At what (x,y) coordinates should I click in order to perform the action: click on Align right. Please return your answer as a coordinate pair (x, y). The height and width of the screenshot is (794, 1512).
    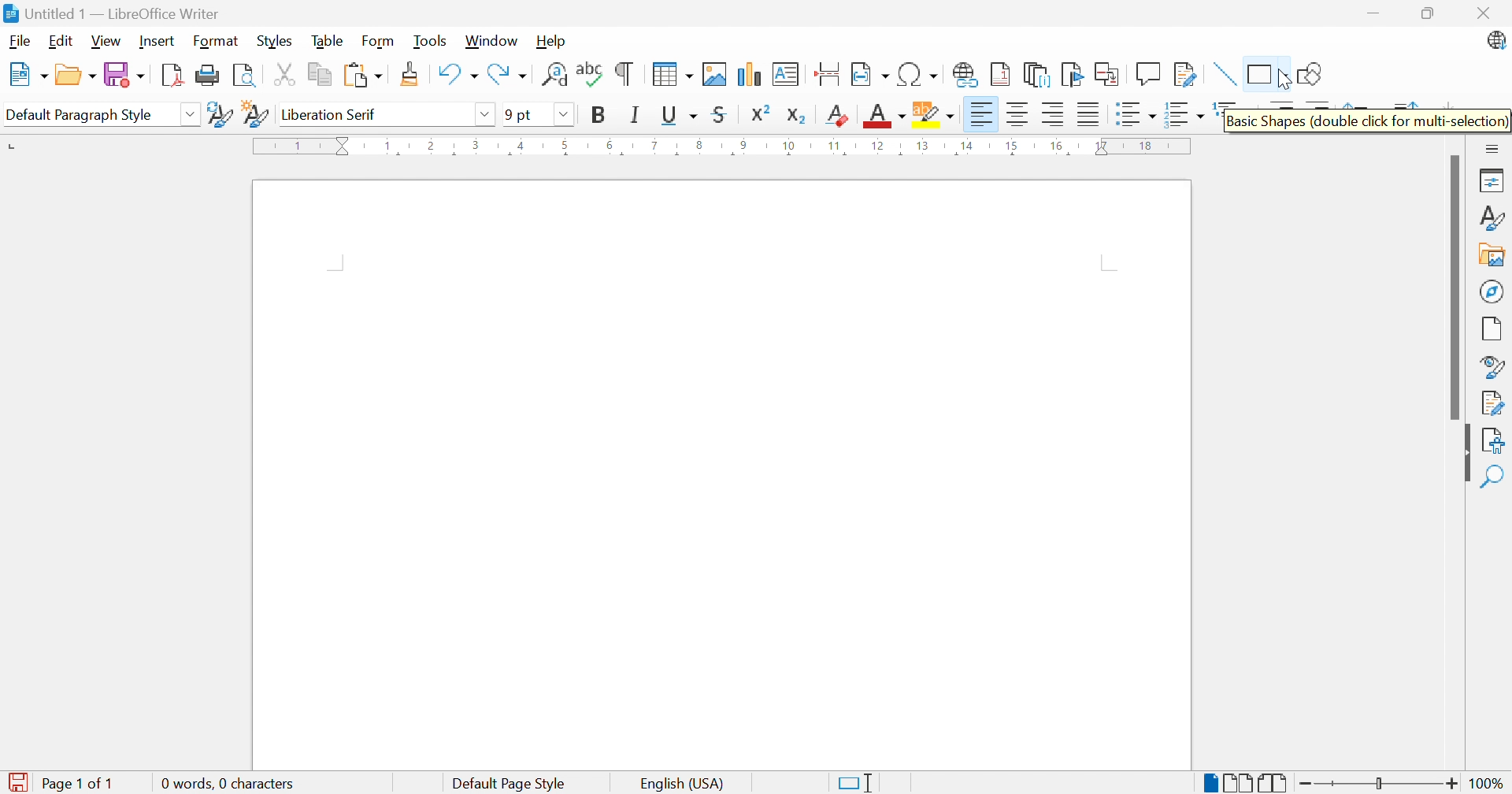
    Looking at the image, I should click on (1056, 115).